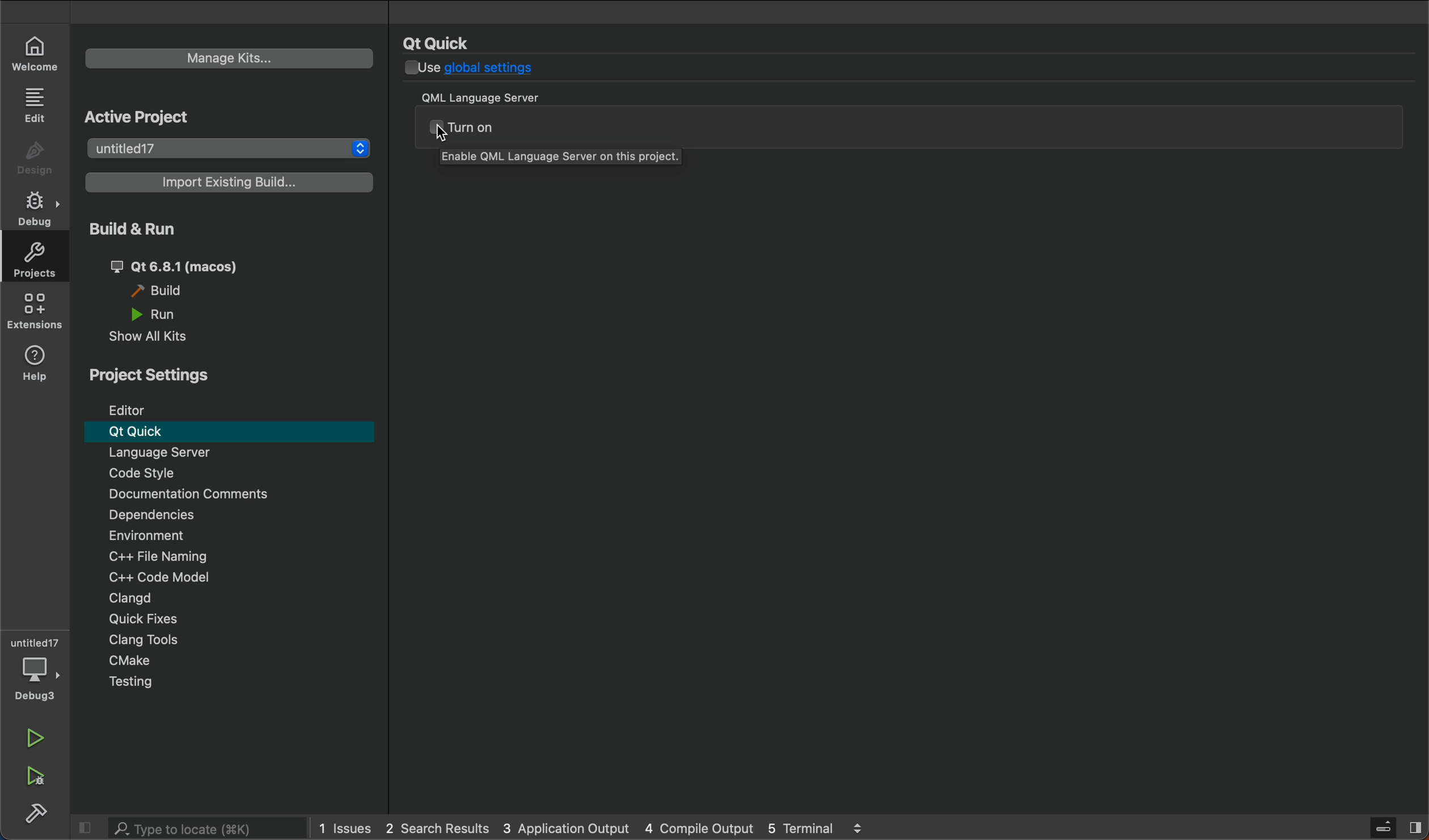  Describe the element at coordinates (33, 667) in the screenshot. I see `Debugger ` at that location.